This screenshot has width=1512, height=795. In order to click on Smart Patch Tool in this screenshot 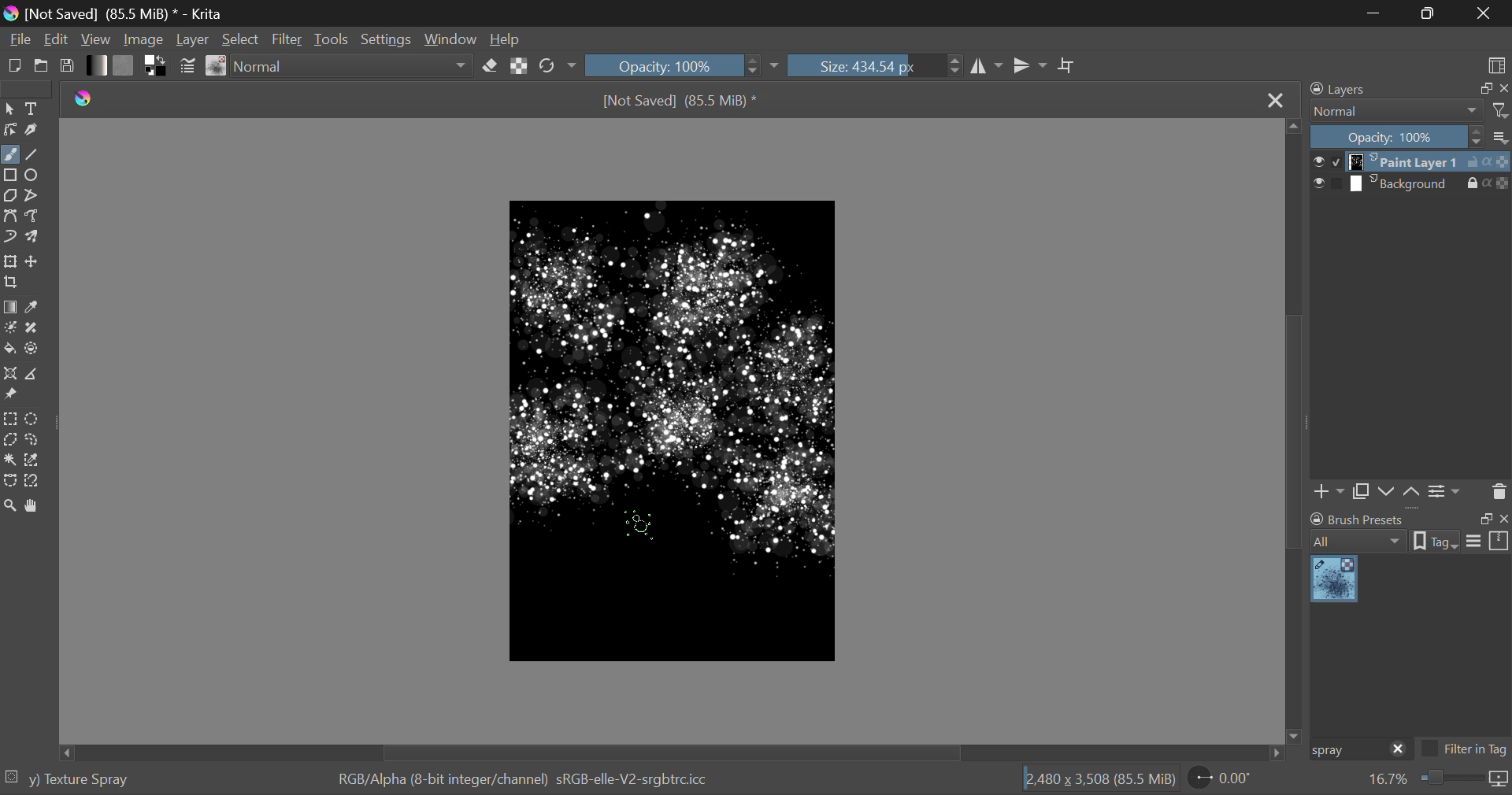, I will do `click(32, 331)`.